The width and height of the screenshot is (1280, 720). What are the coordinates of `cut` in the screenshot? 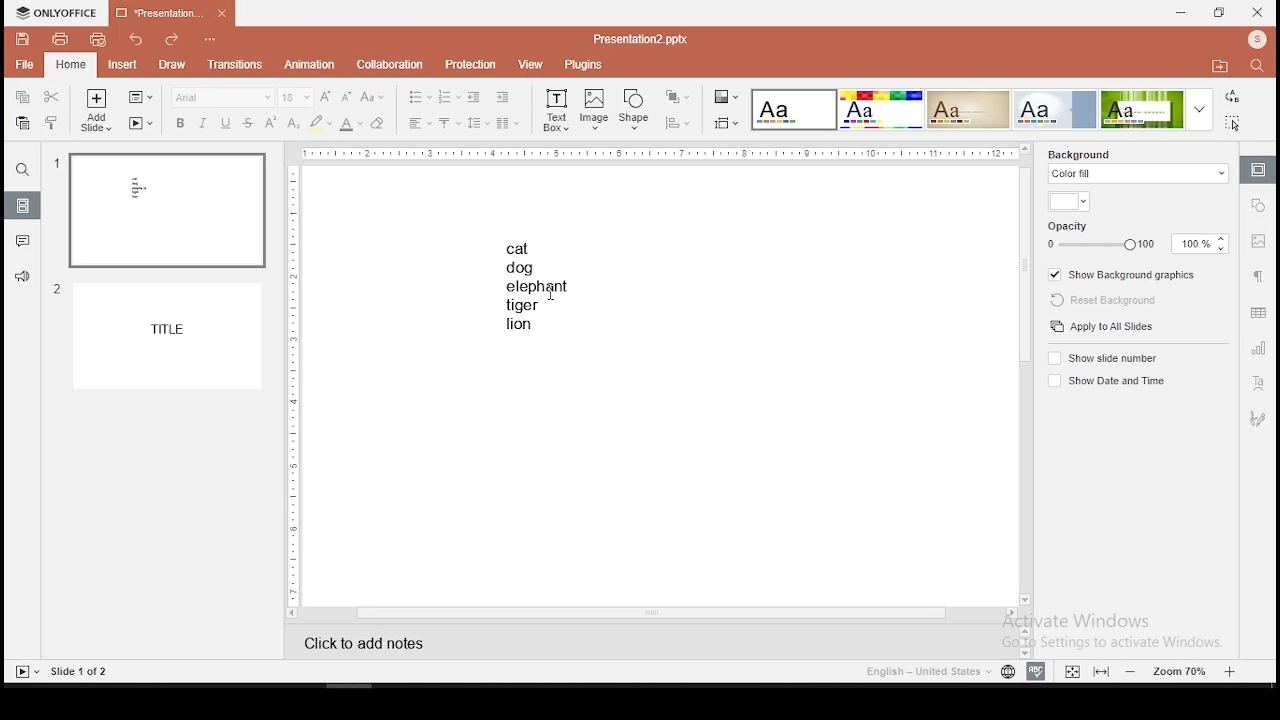 It's located at (50, 98).